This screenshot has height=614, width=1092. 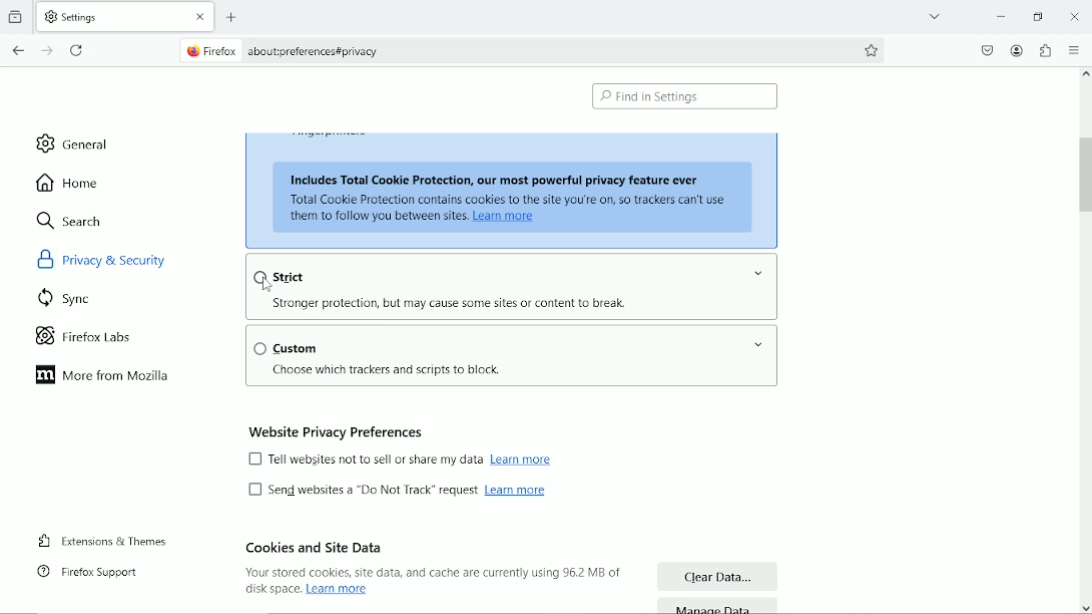 What do you see at coordinates (870, 50) in the screenshot?
I see `bookmark this page` at bounding box center [870, 50].